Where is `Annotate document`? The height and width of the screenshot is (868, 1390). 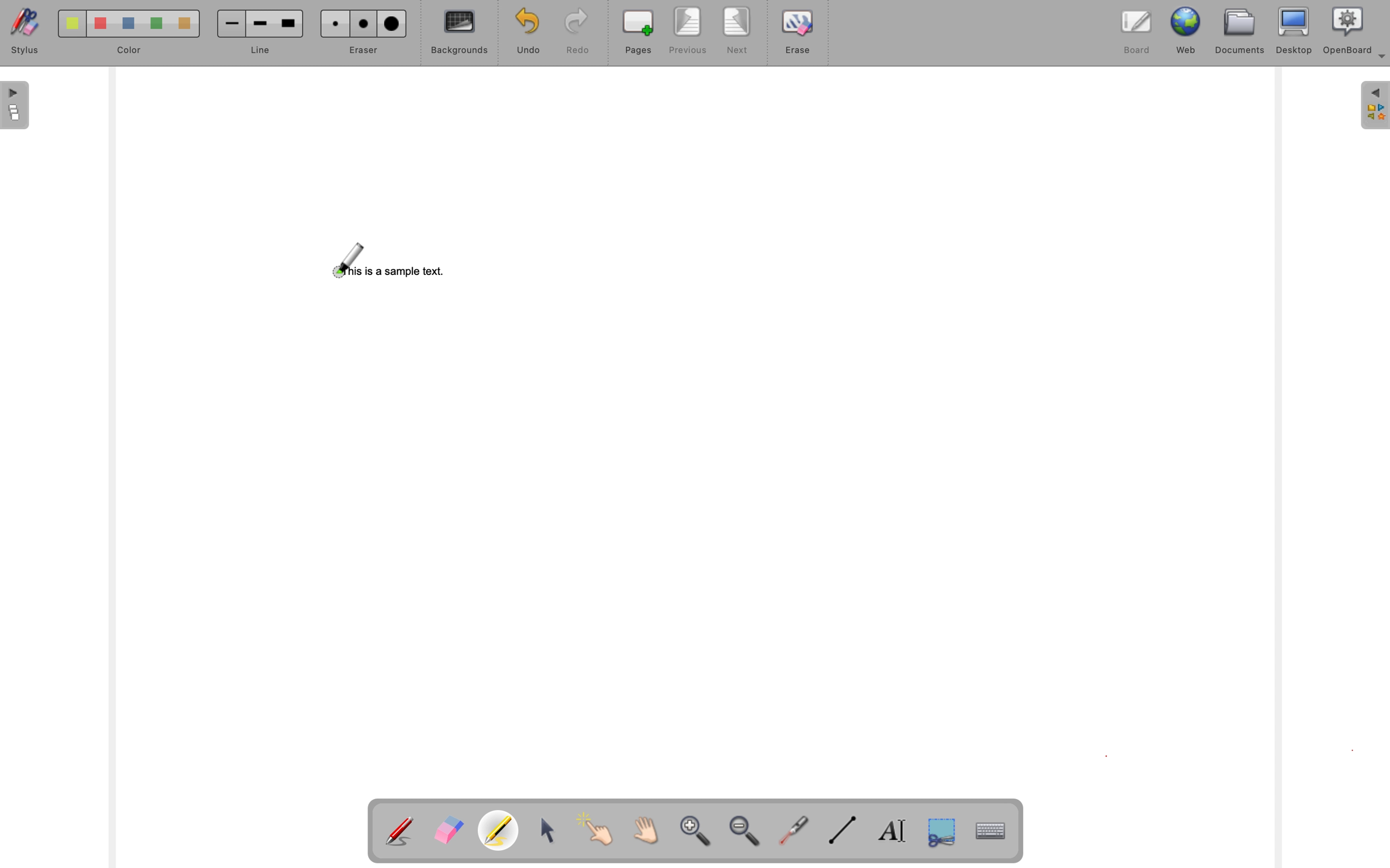
Annotate document is located at coordinates (400, 828).